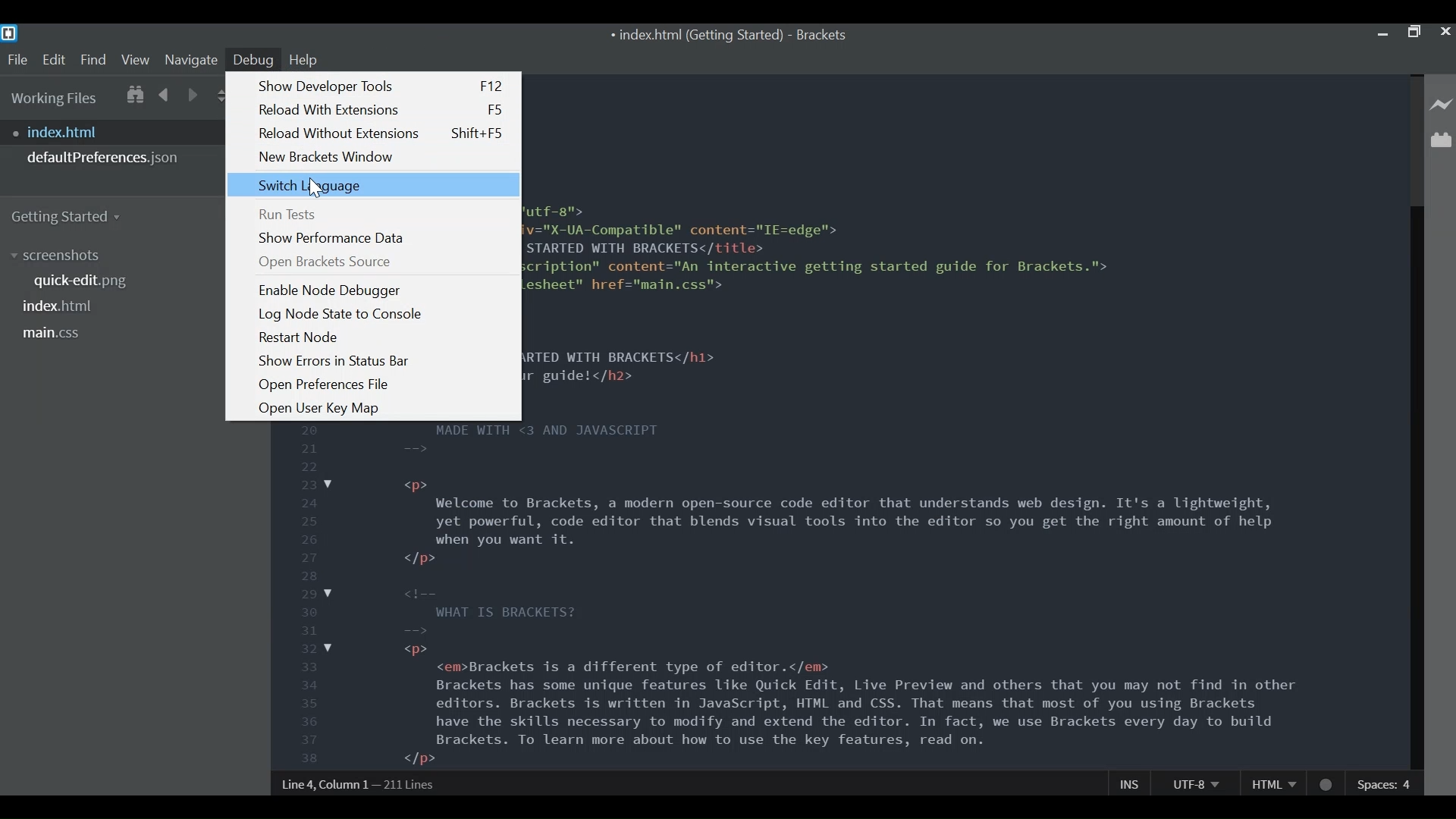 This screenshot has height=819, width=1456. I want to click on HTML, so click(1273, 783).